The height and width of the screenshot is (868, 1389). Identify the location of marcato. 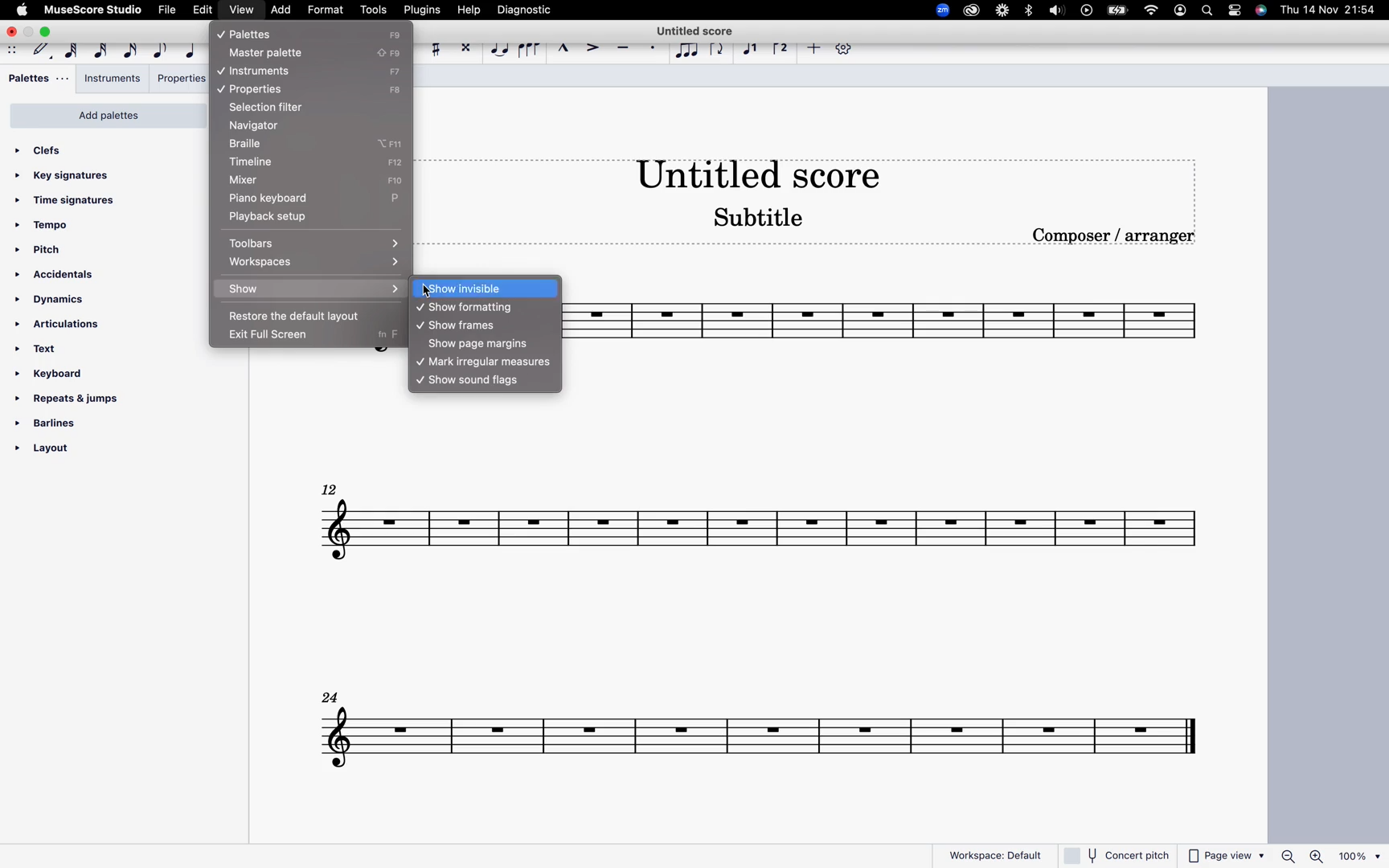
(561, 47).